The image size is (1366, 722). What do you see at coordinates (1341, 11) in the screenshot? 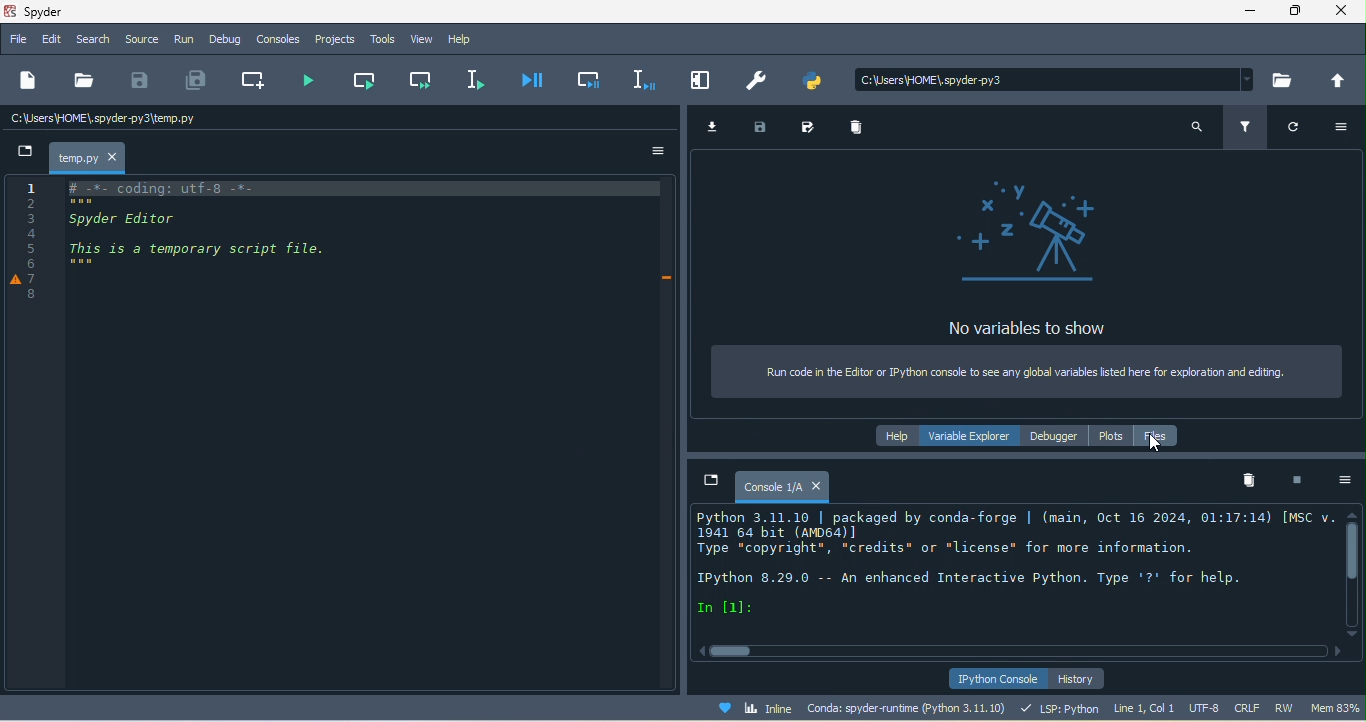
I see `close` at bounding box center [1341, 11].